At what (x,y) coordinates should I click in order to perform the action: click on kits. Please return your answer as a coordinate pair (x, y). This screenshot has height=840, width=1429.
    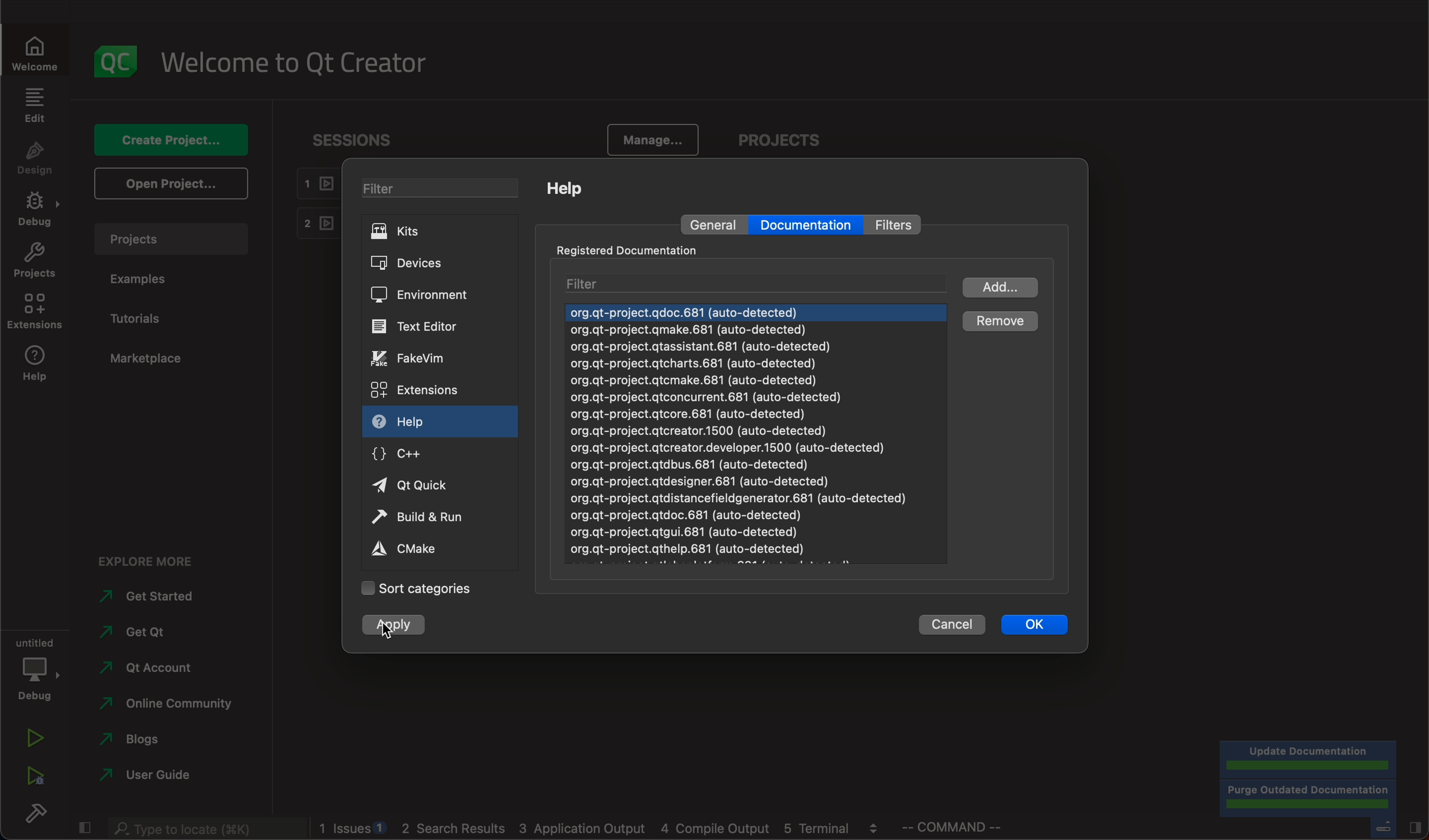
    Looking at the image, I should click on (445, 234).